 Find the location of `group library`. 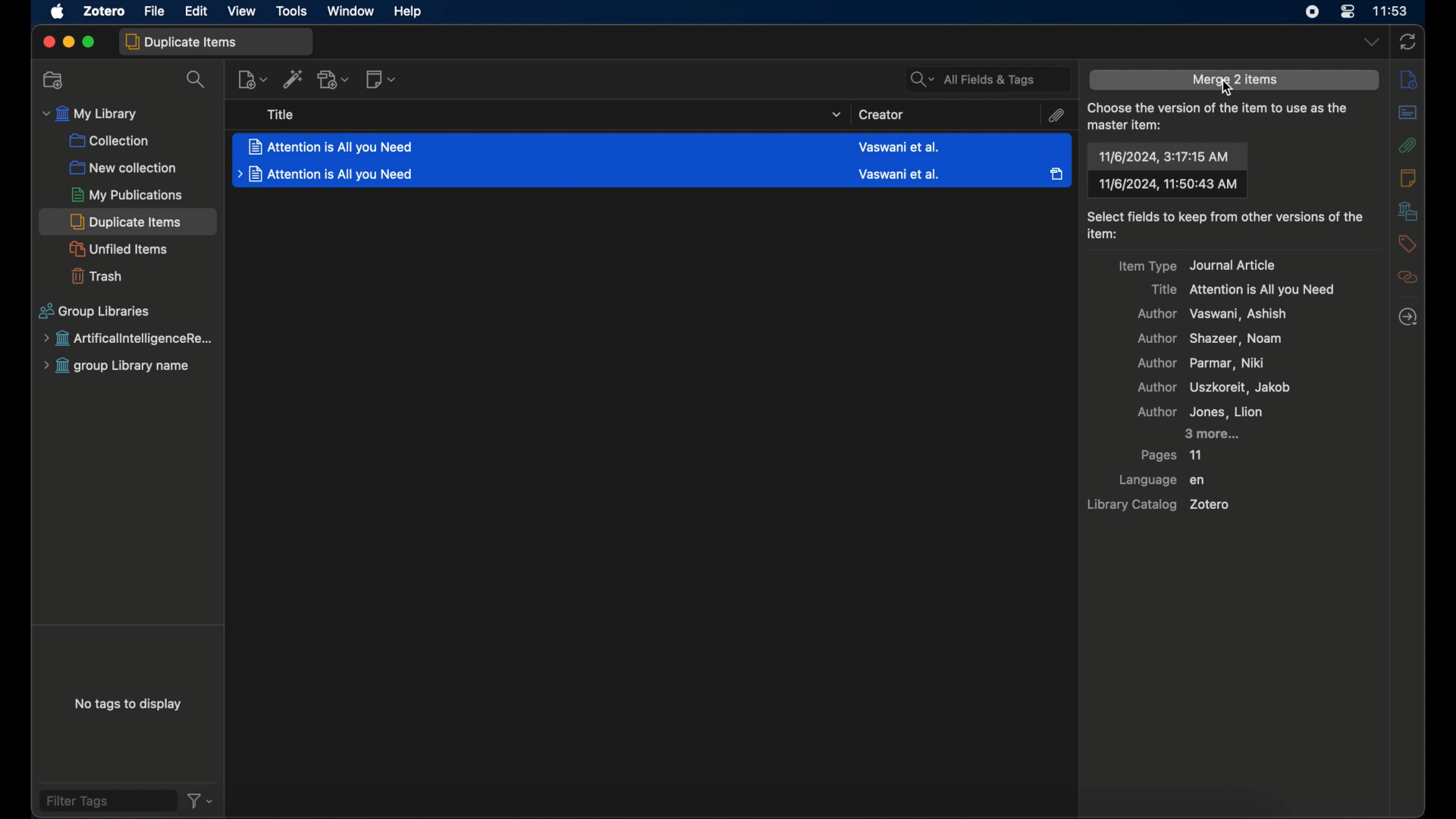

group library is located at coordinates (123, 366).